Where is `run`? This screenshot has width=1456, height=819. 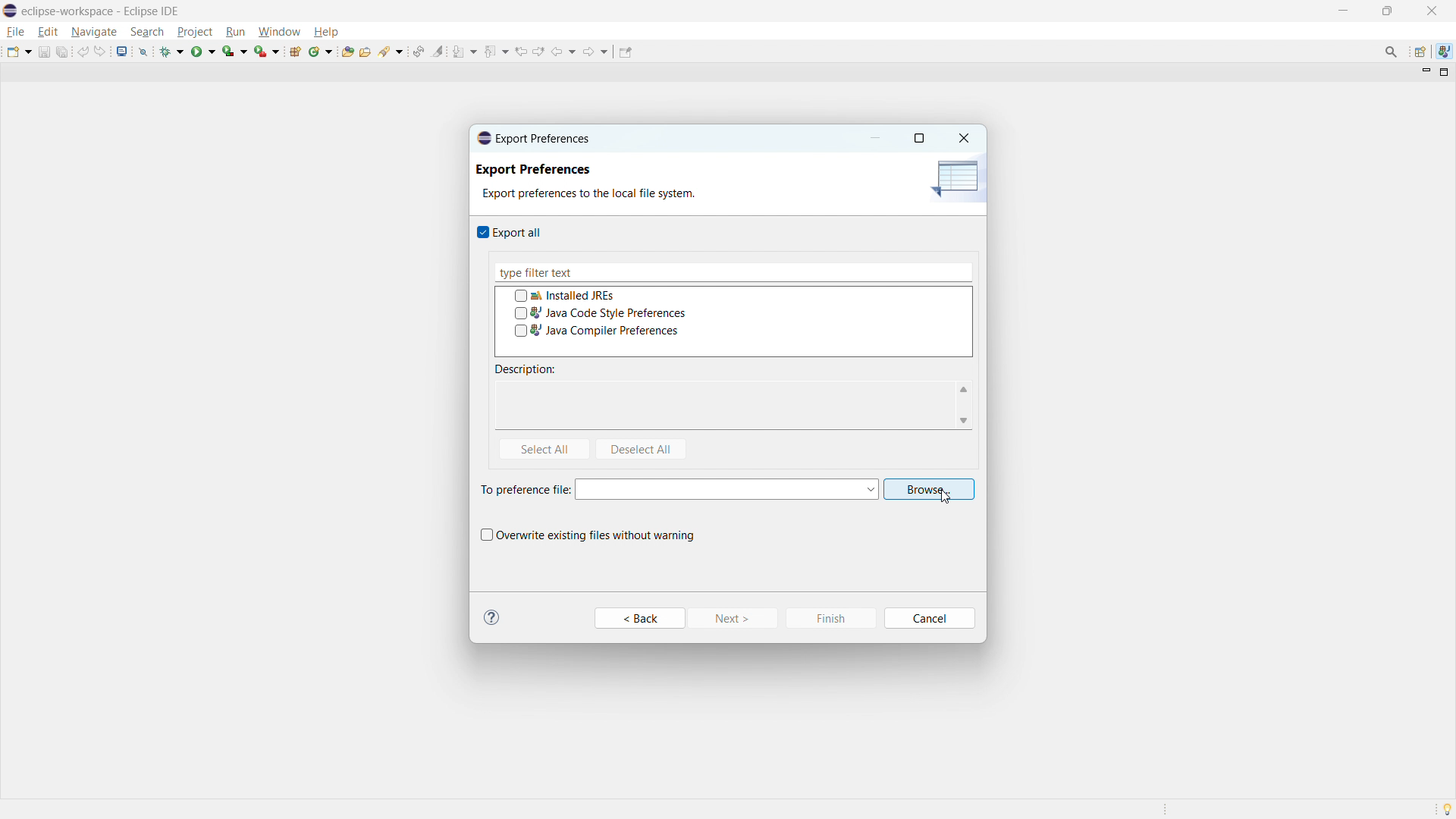
run is located at coordinates (235, 32).